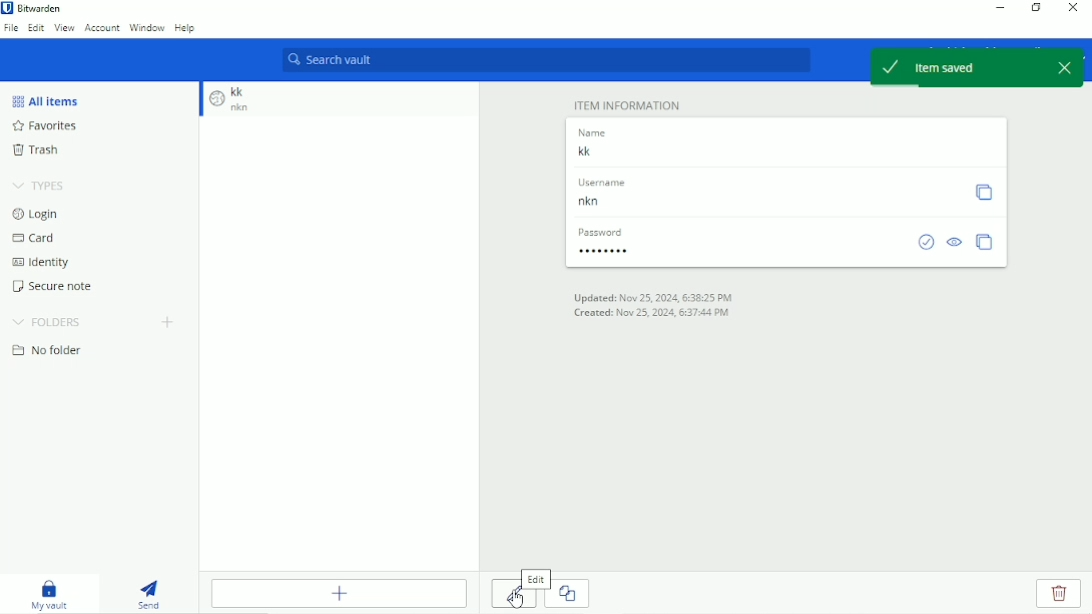  What do you see at coordinates (604, 250) in the screenshot?
I see `Password` at bounding box center [604, 250].